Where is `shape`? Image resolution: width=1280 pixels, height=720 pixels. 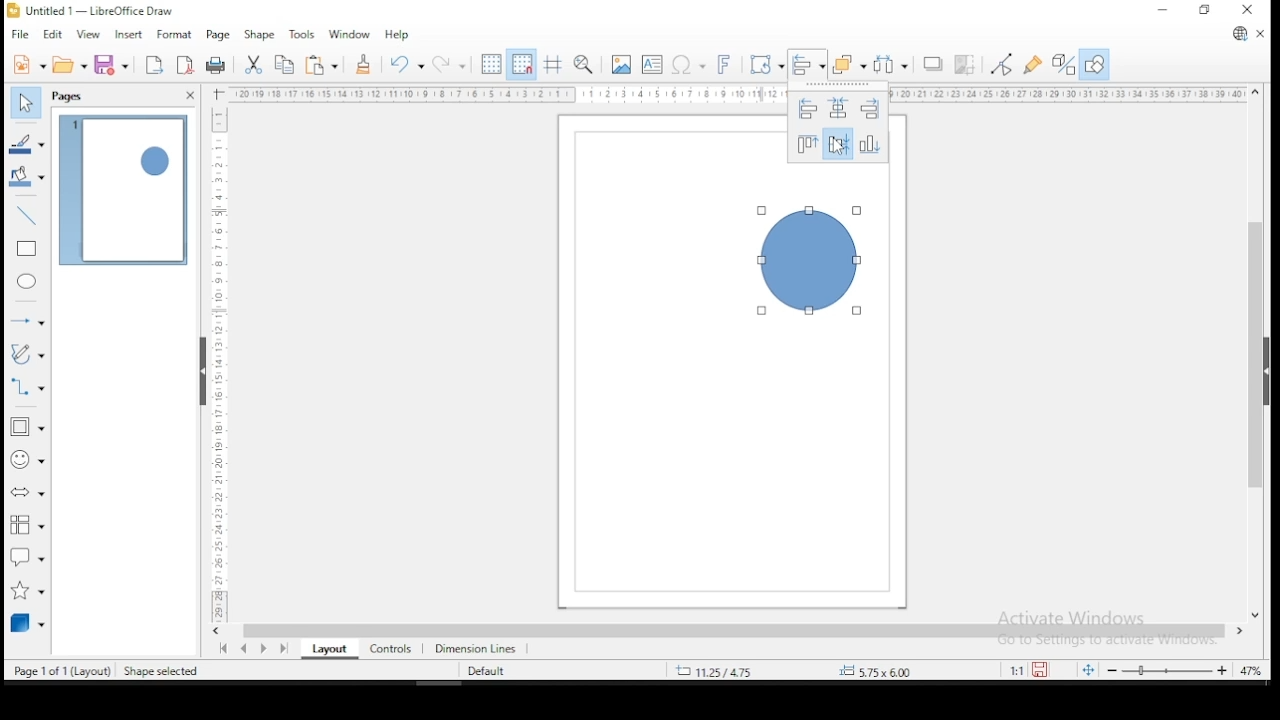
shape is located at coordinates (258, 36).